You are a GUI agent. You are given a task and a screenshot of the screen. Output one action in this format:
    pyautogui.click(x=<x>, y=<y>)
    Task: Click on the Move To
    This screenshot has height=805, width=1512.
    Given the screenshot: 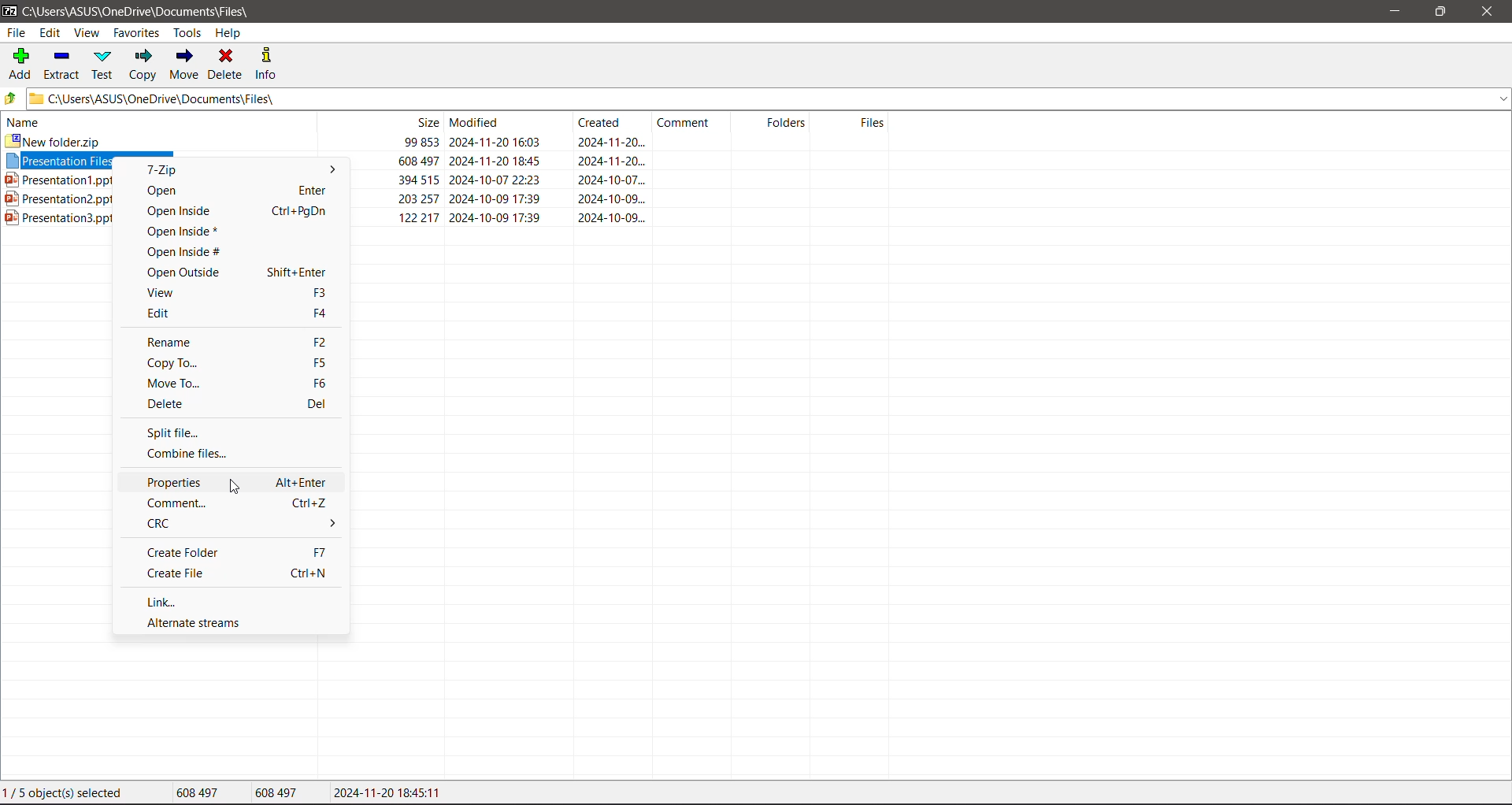 What is the action you would take?
    pyautogui.click(x=235, y=384)
    